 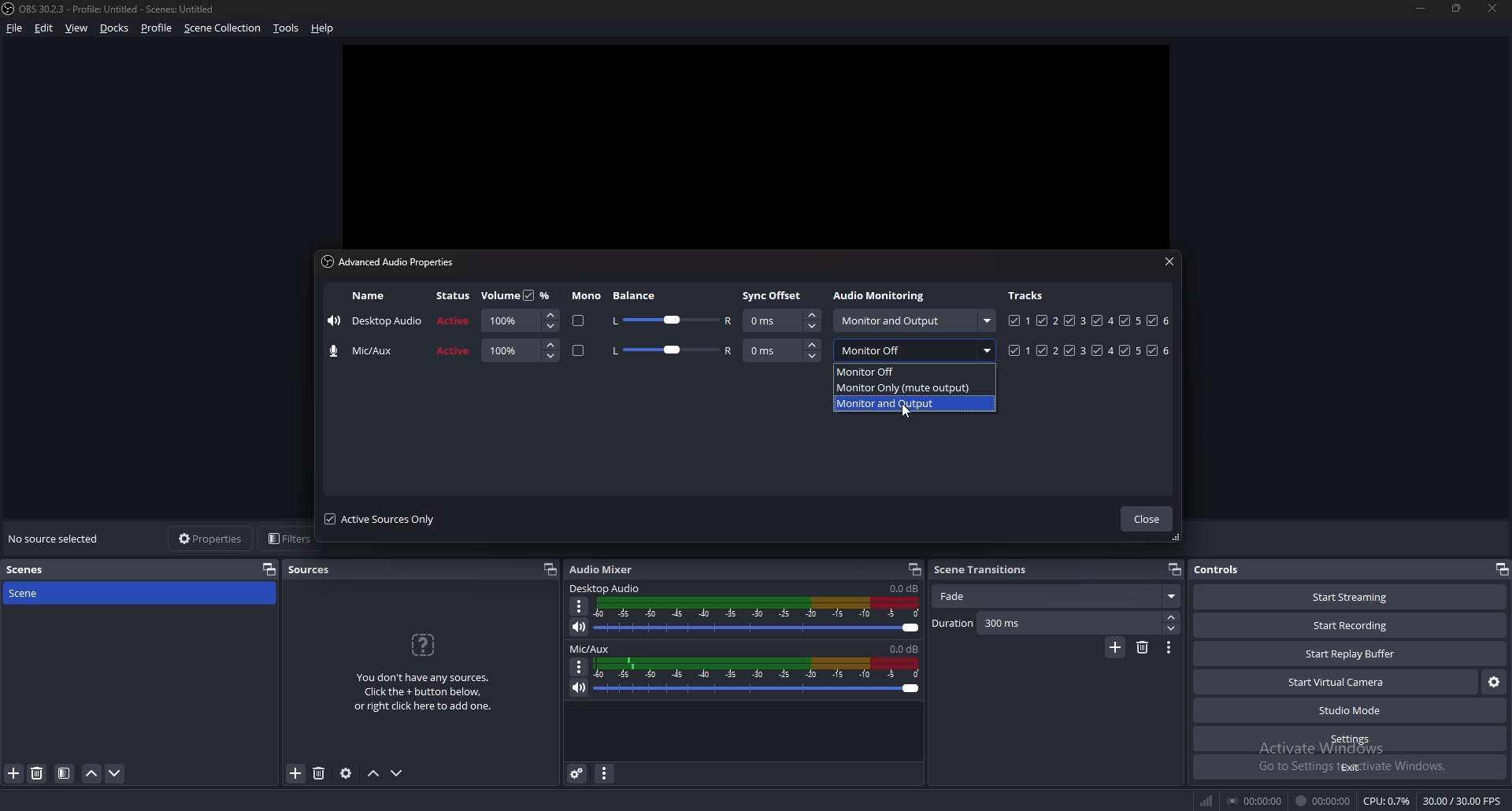 I want to click on start streaming, so click(x=1349, y=597).